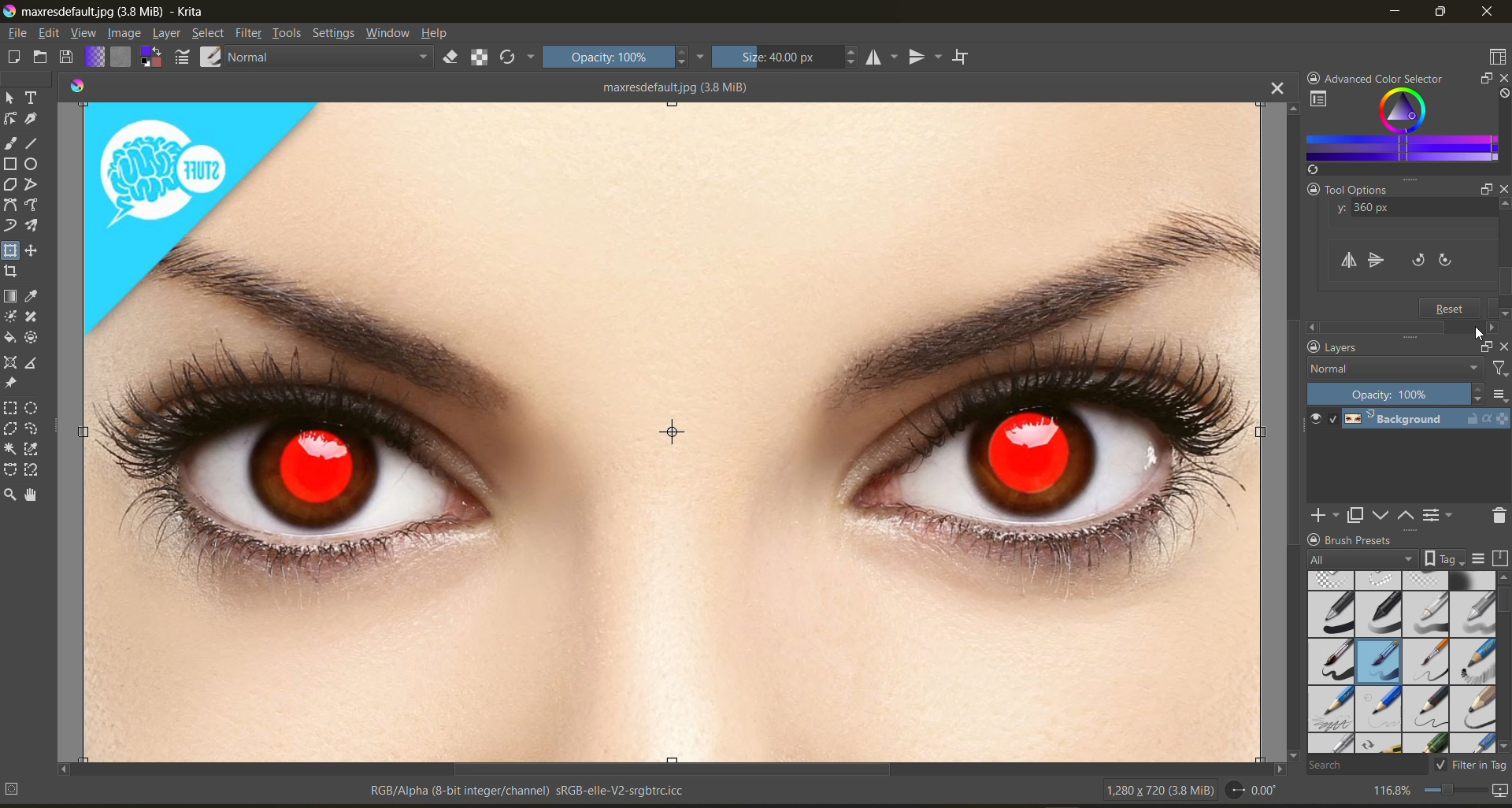 This screenshot has width=1512, height=808. What do you see at coordinates (1404, 514) in the screenshot?
I see `mask up` at bounding box center [1404, 514].